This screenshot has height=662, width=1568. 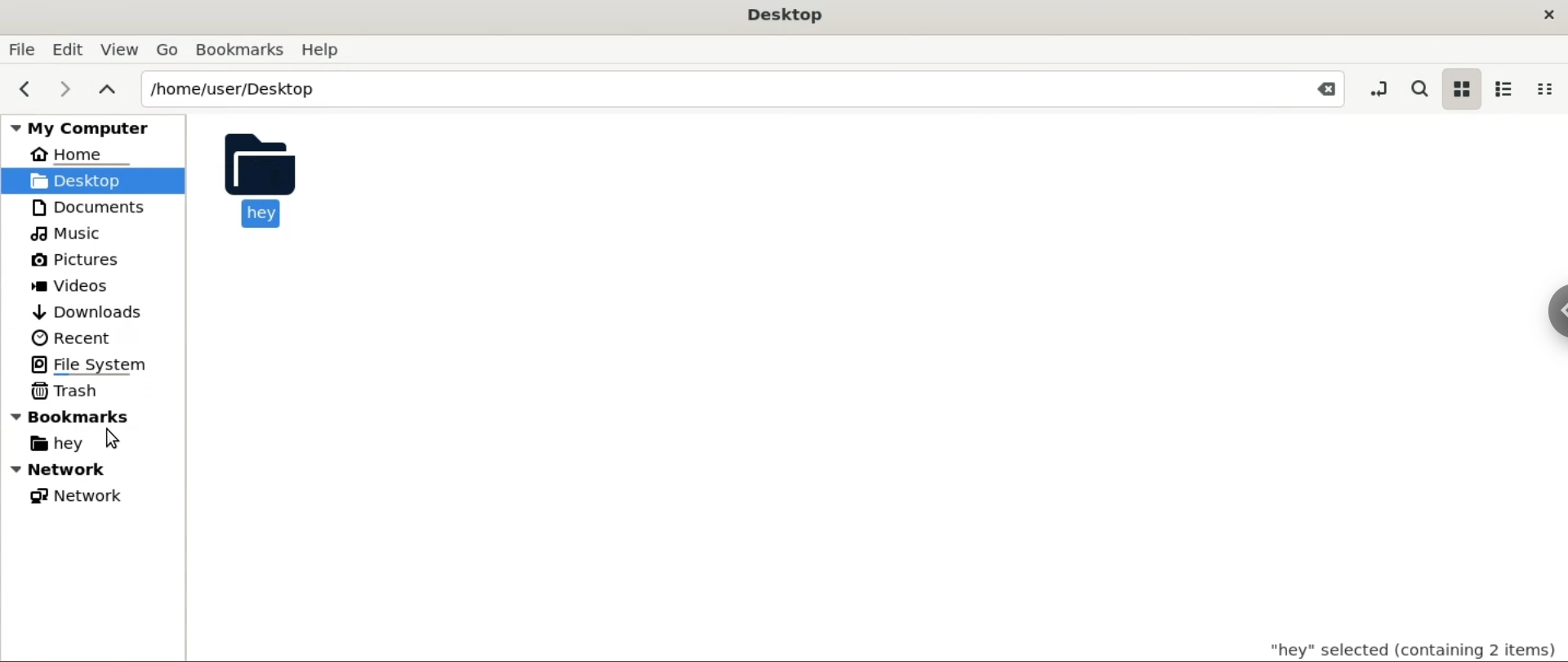 What do you see at coordinates (101, 419) in the screenshot?
I see `bookmarks` at bounding box center [101, 419].